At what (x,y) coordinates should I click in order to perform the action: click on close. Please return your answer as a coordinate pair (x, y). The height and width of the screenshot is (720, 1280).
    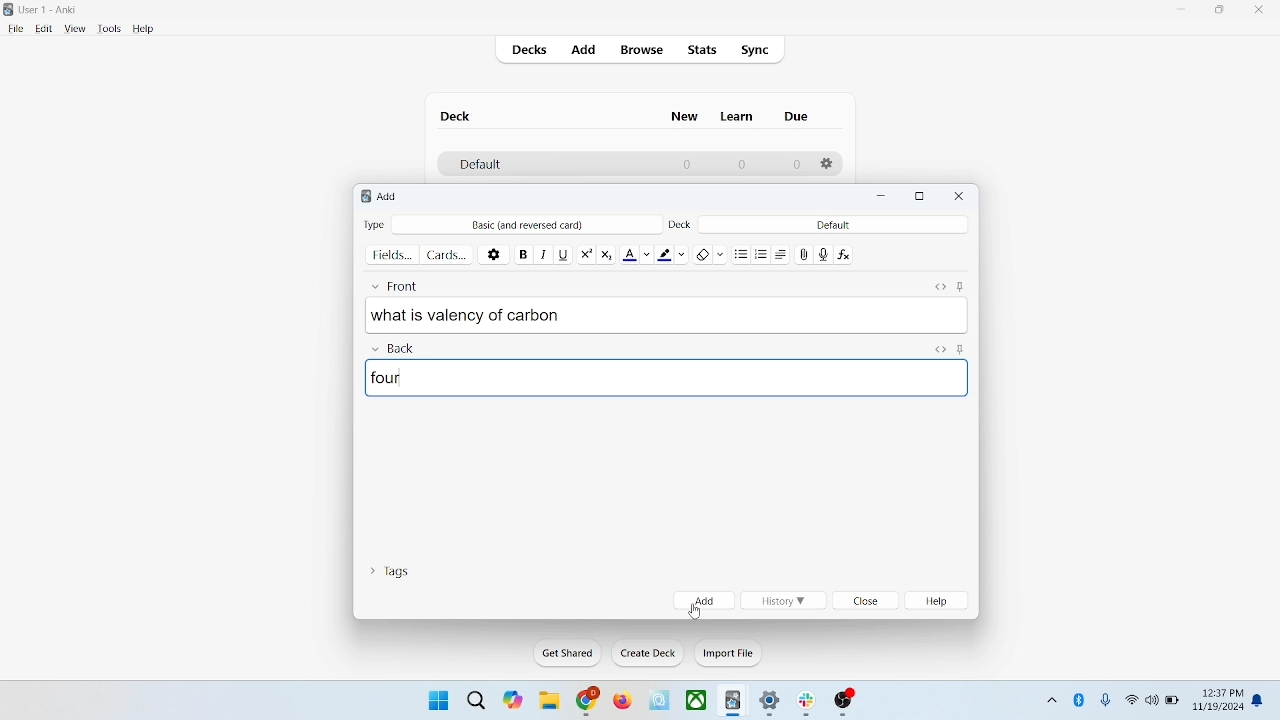
    Looking at the image, I should click on (960, 196).